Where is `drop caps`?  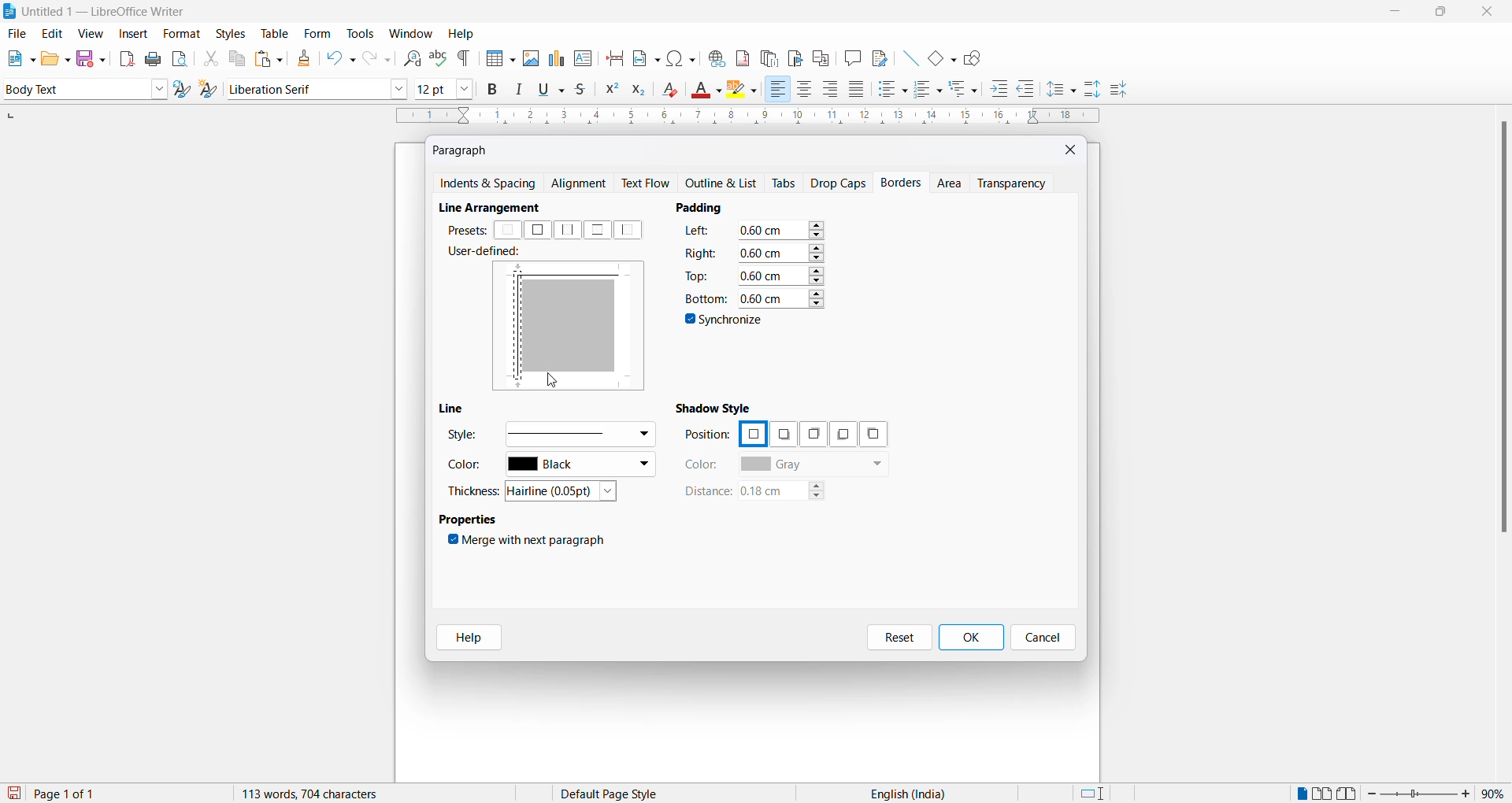 drop caps is located at coordinates (839, 182).